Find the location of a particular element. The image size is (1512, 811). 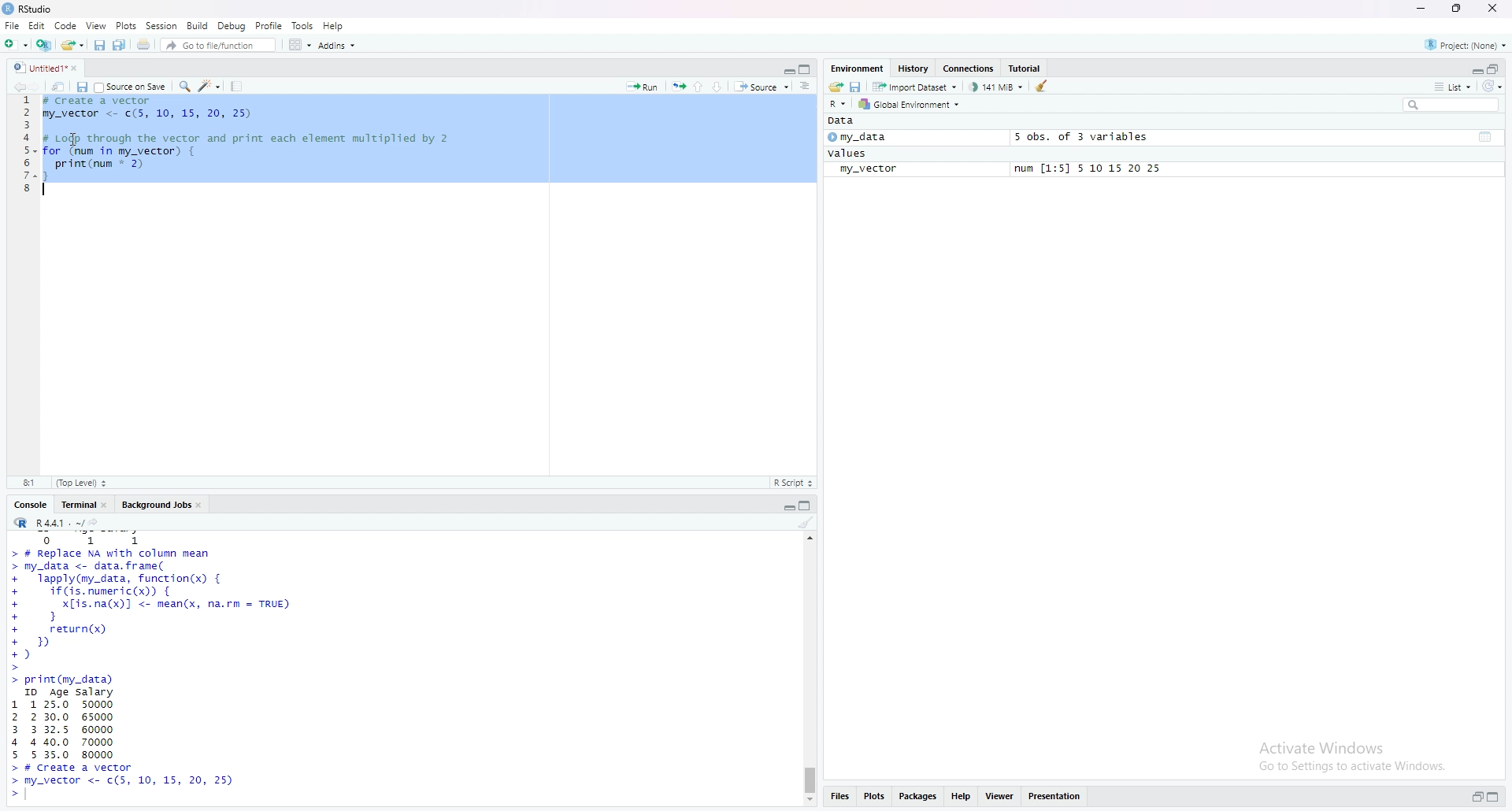

my_vector is located at coordinates (869, 170).